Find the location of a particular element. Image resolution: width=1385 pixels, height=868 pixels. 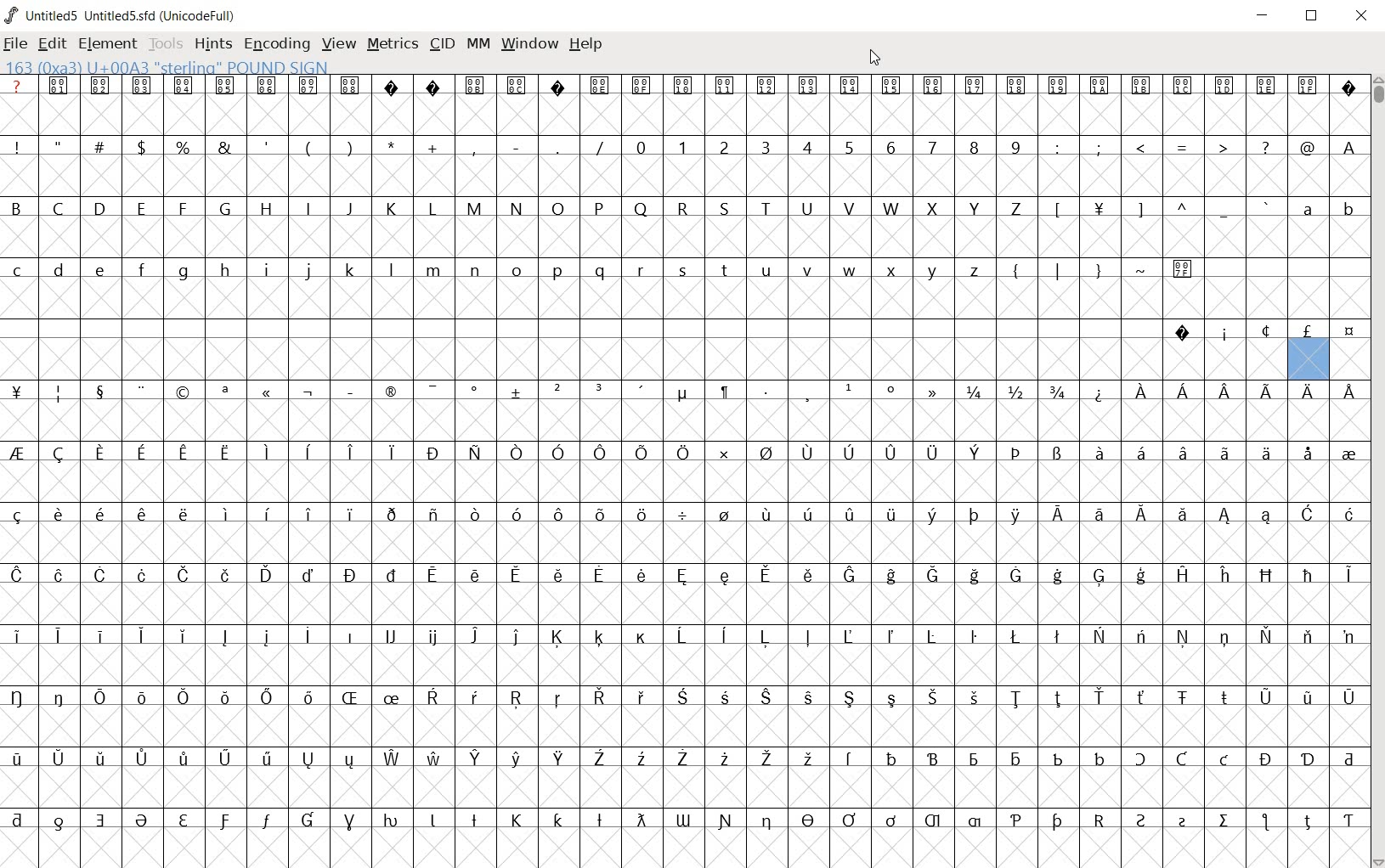

Symbol is located at coordinates (433, 85).